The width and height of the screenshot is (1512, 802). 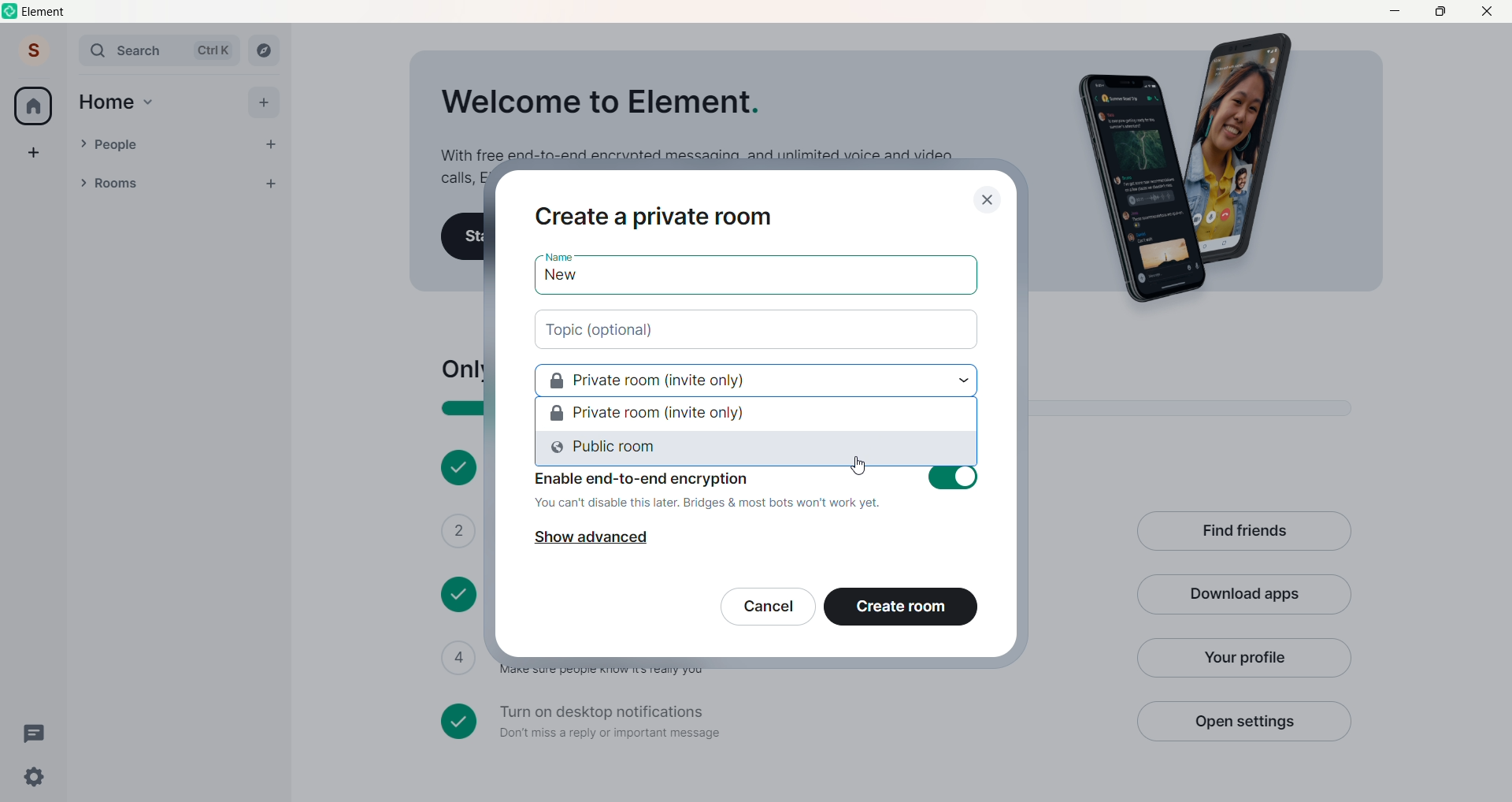 I want to click on Quick Settings, so click(x=35, y=777).